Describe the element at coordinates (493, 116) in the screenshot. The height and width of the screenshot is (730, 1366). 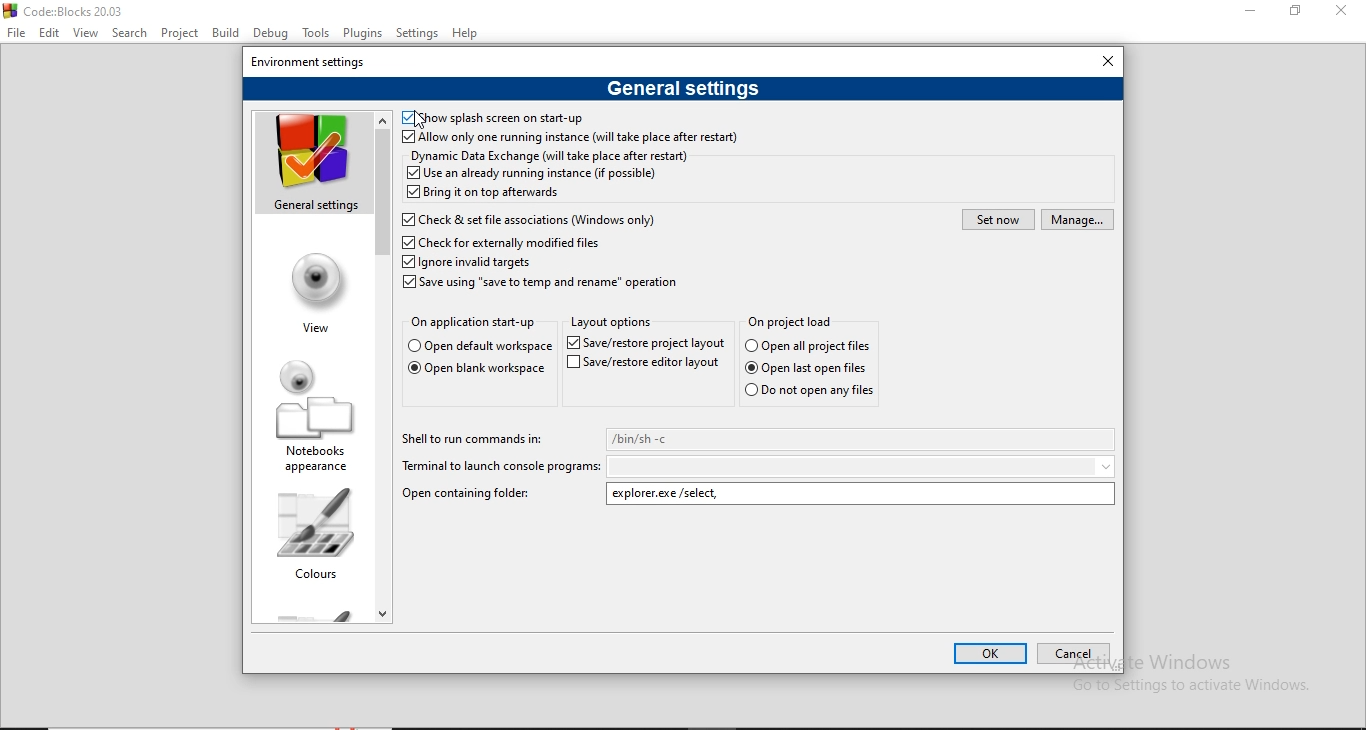
I see `Show splash screen on start-up` at that location.